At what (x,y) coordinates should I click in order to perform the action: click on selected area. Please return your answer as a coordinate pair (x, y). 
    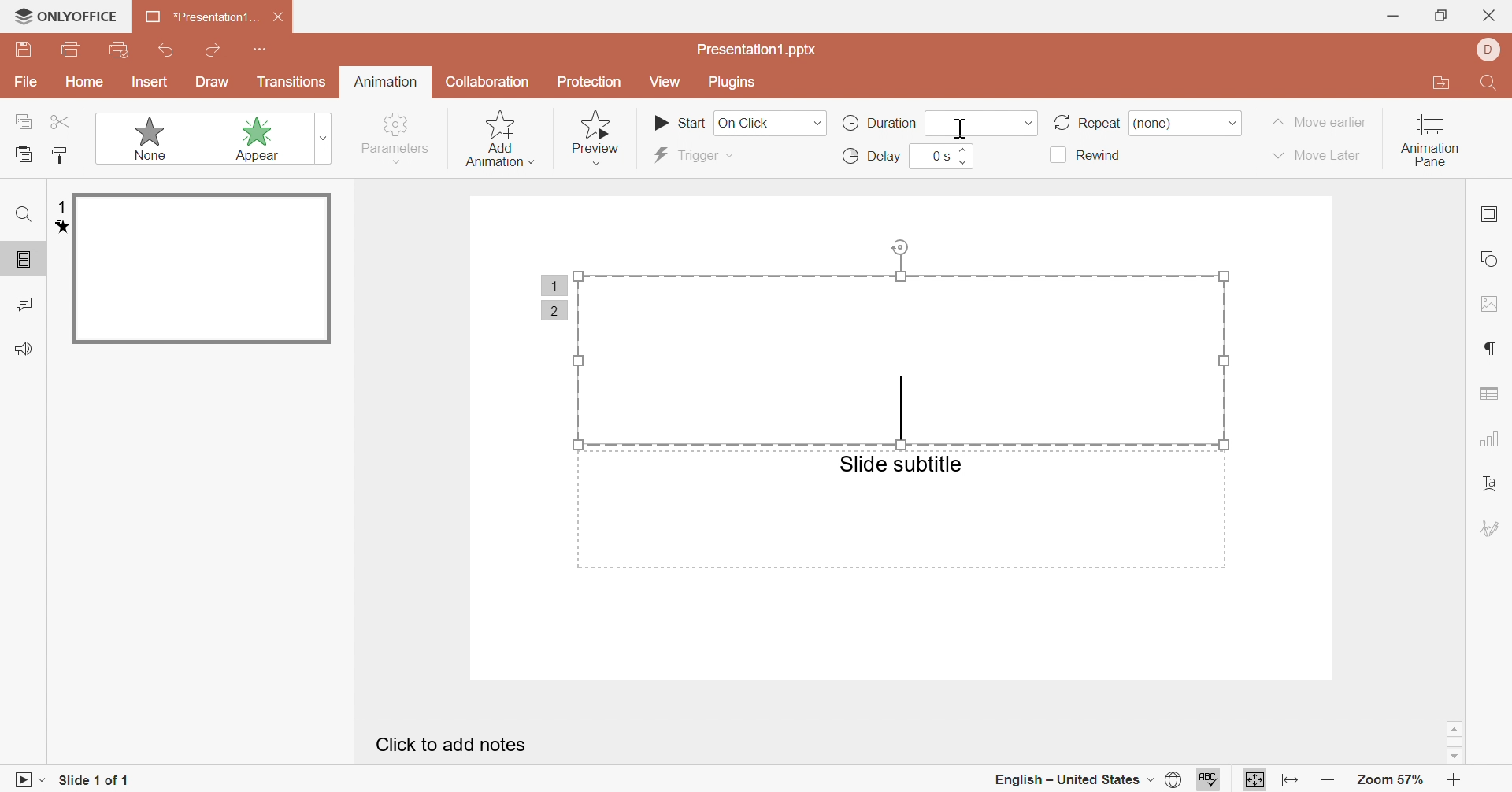
    Looking at the image, I should click on (897, 341).